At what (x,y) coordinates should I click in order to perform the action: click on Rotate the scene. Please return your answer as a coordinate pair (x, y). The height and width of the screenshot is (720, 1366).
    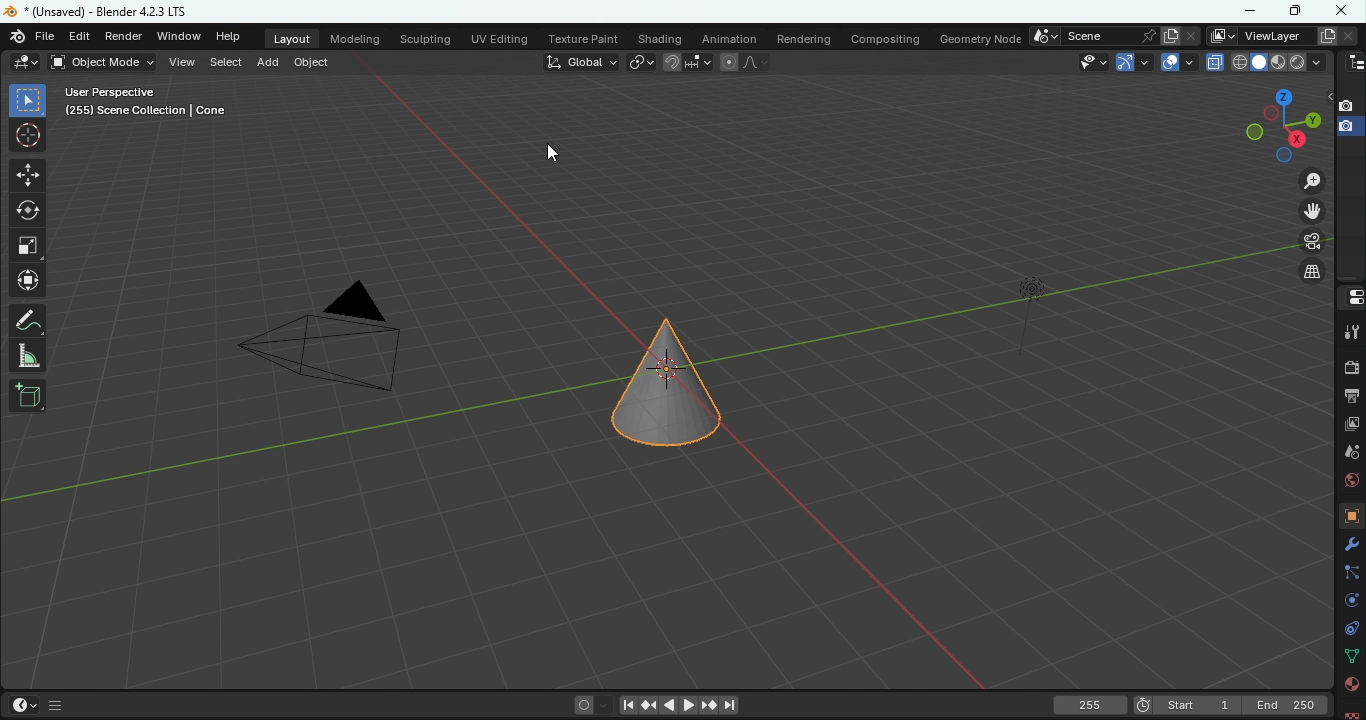
    Looking at the image, I should click on (1284, 96).